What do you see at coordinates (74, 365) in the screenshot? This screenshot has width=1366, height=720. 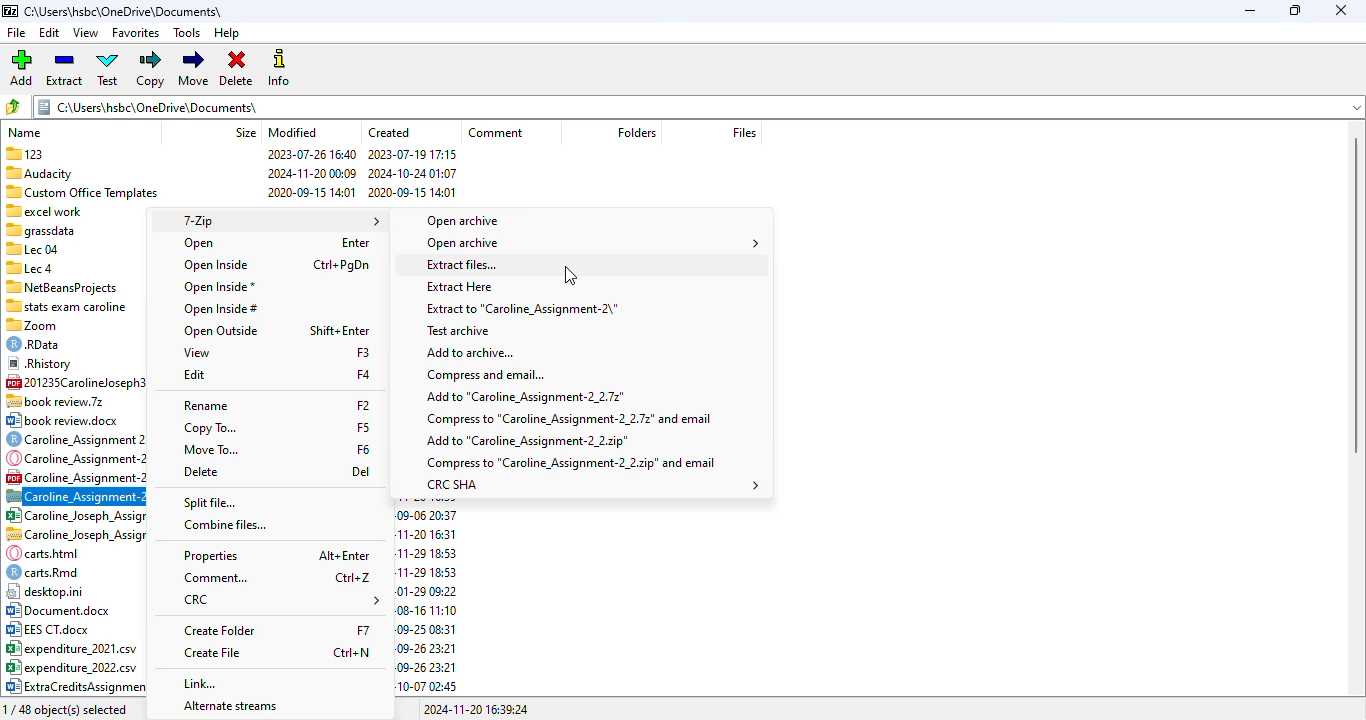 I see `.Rhistory 92456 2024-02-28 00:24 2022-11-26 17:25` at bounding box center [74, 365].